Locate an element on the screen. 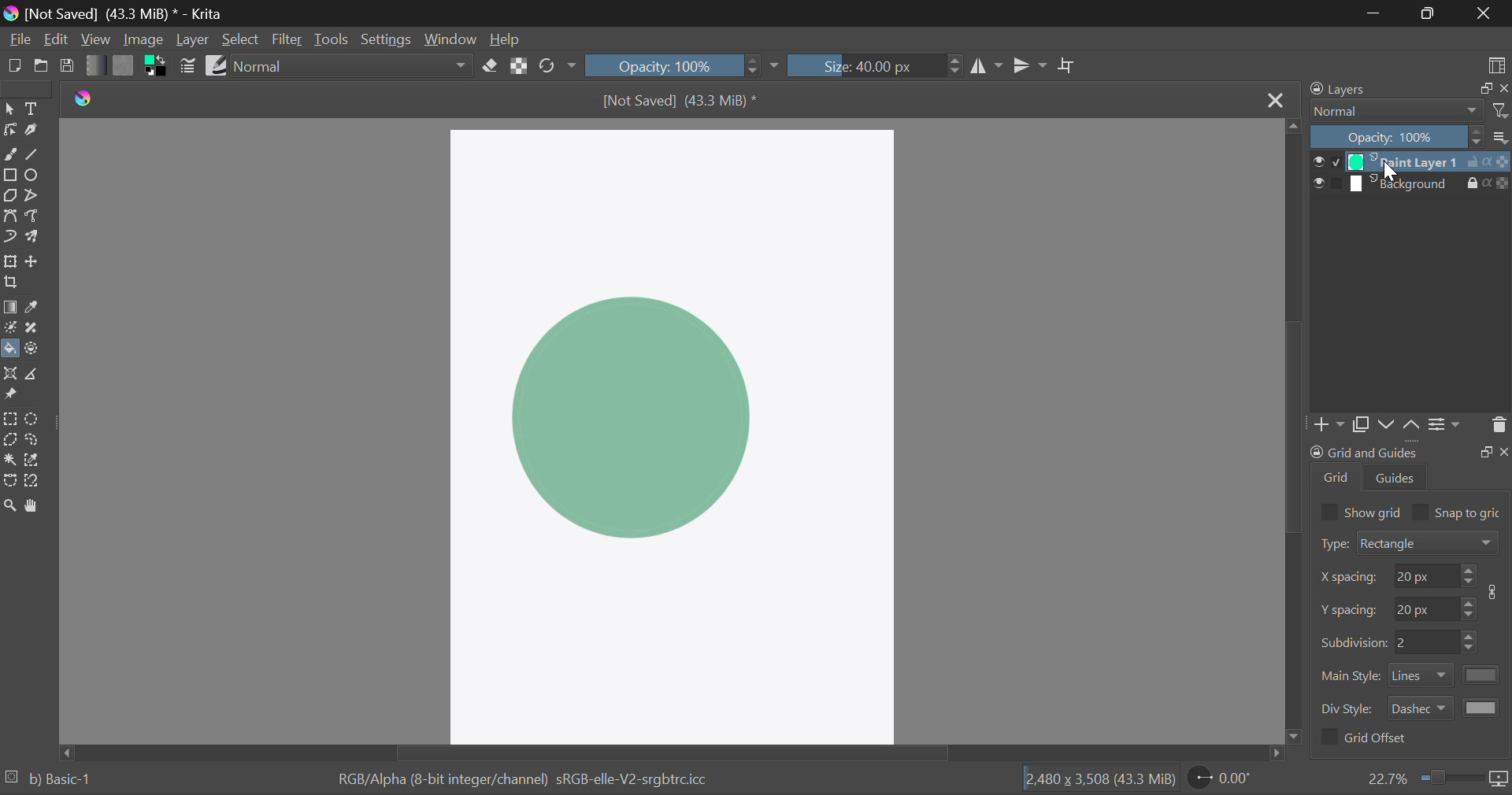 This screenshot has width=1512, height=795. Filter is located at coordinates (288, 39).